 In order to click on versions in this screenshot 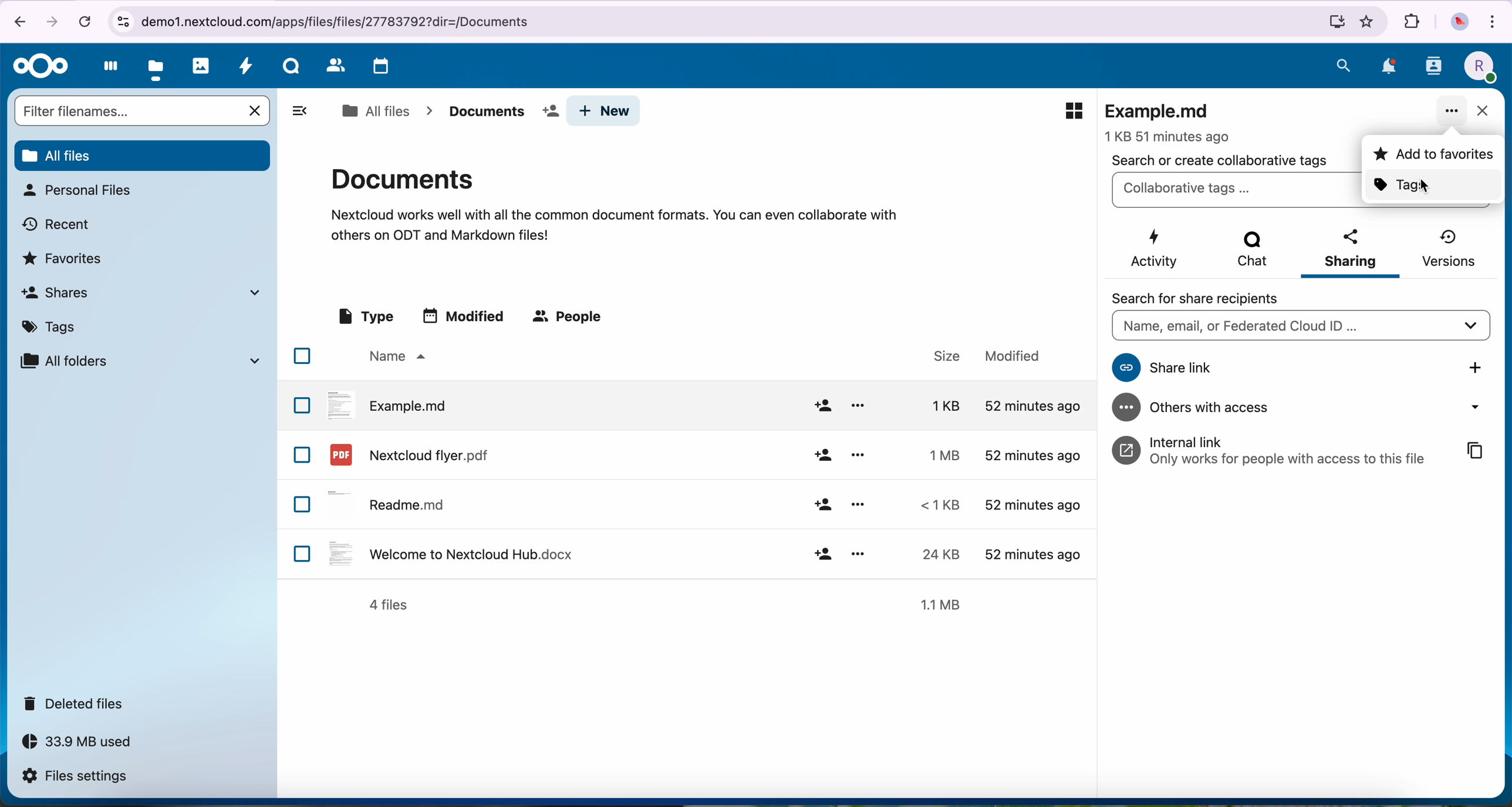, I will do `click(1447, 248)`.